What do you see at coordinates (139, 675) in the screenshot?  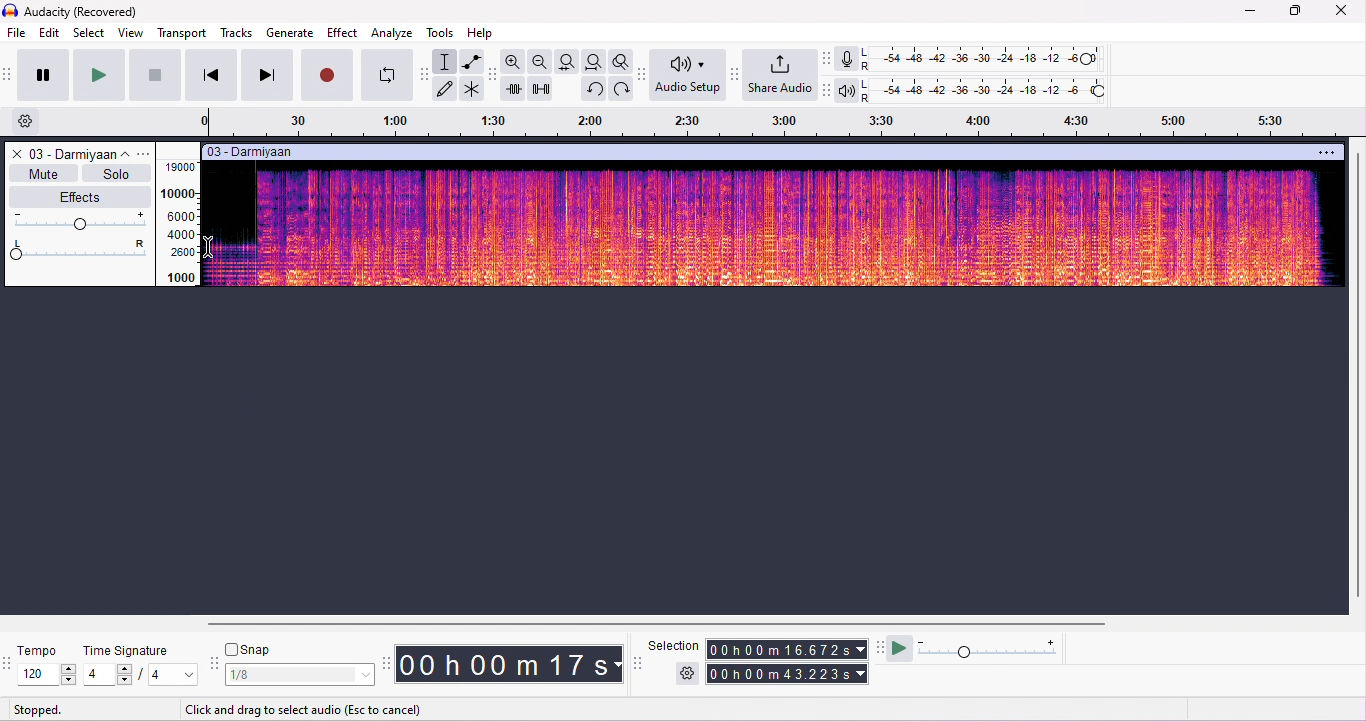 I see `select time signature` at bounding box center [139, 675].